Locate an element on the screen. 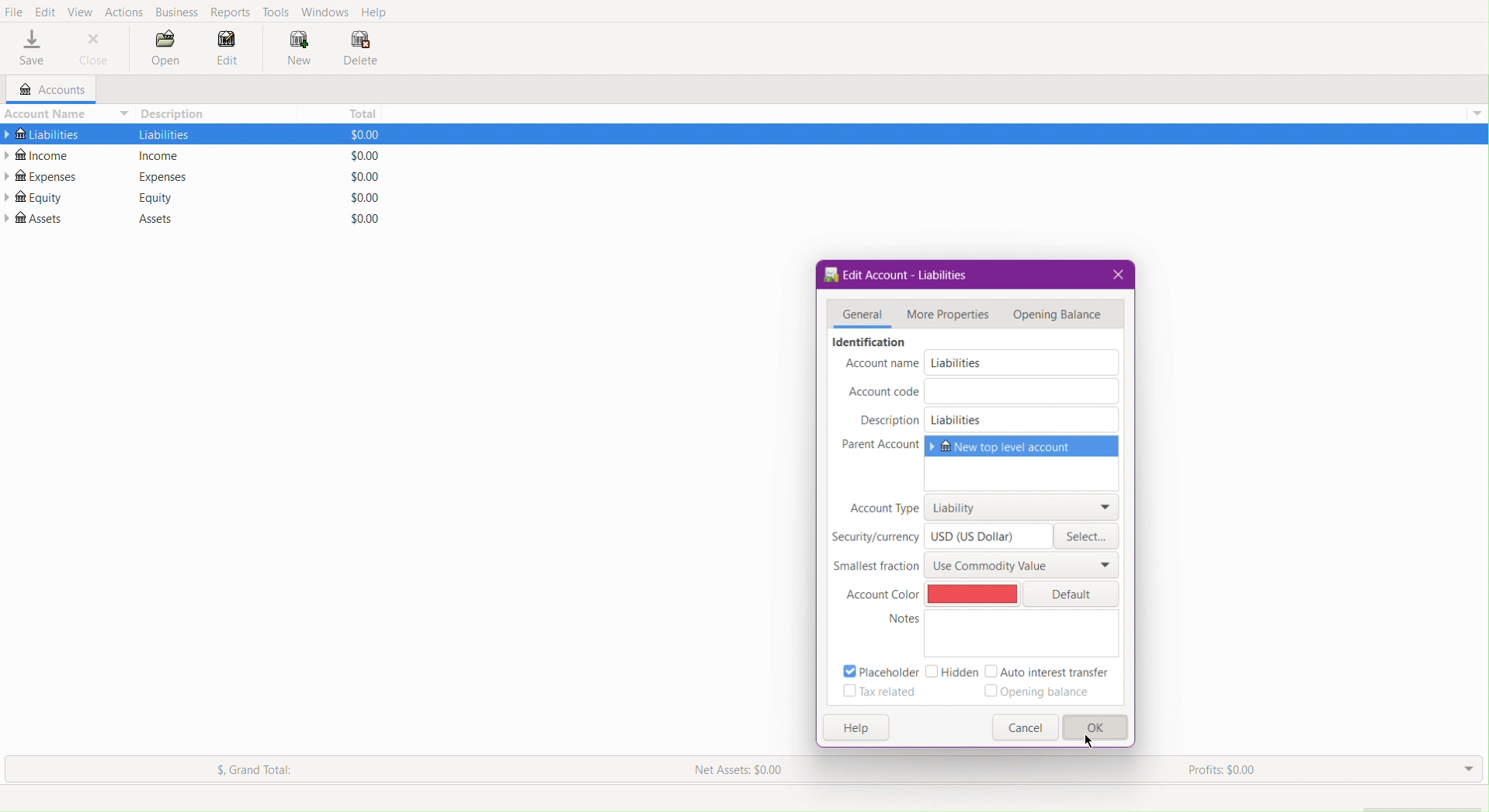 The image size is (1489, 812). Account Name is located at coordinates (65, 113).